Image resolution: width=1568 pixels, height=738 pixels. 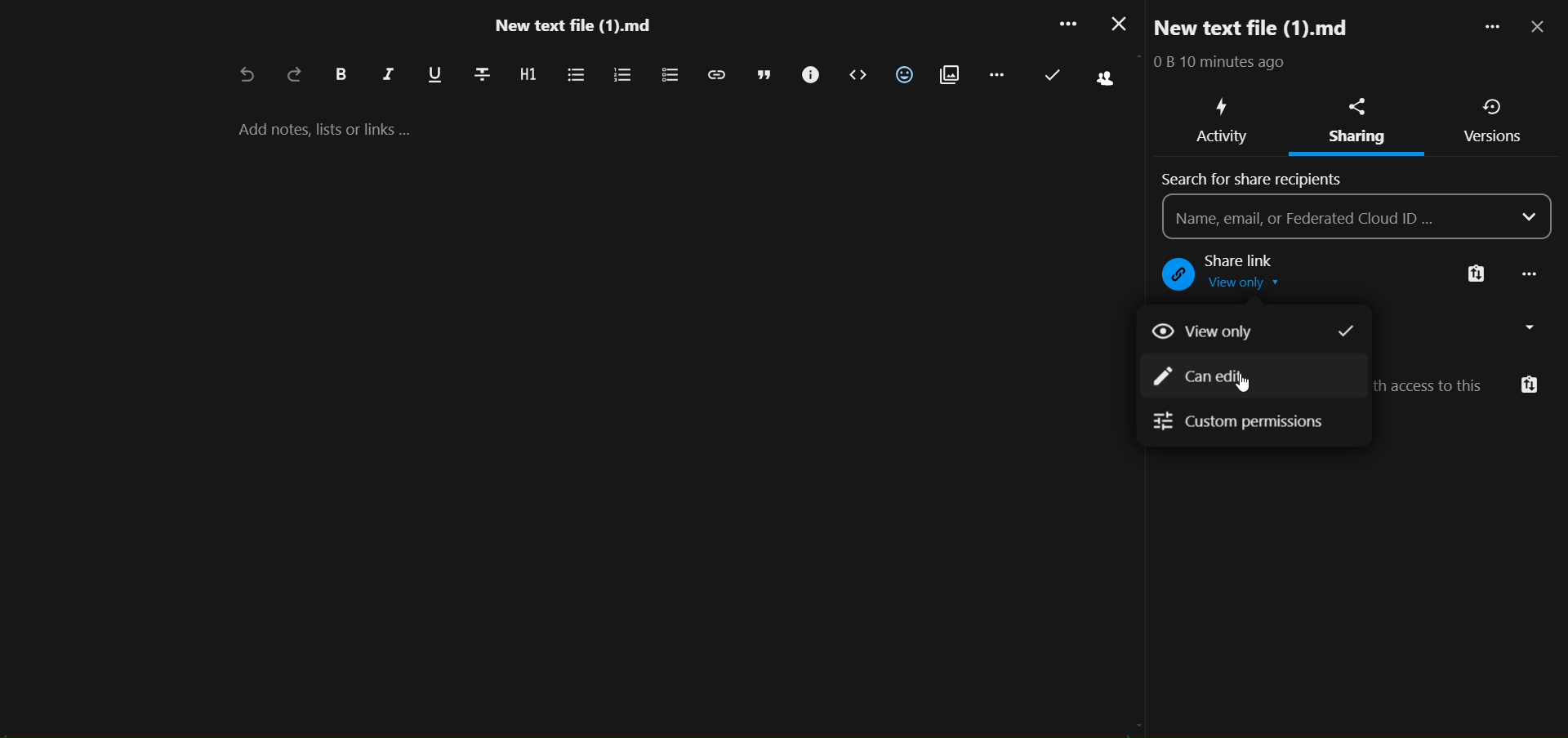 What do you see at coordinates (1244, 385) in the screenshot?
I see `cursor` at bounding box center [1244, 385].